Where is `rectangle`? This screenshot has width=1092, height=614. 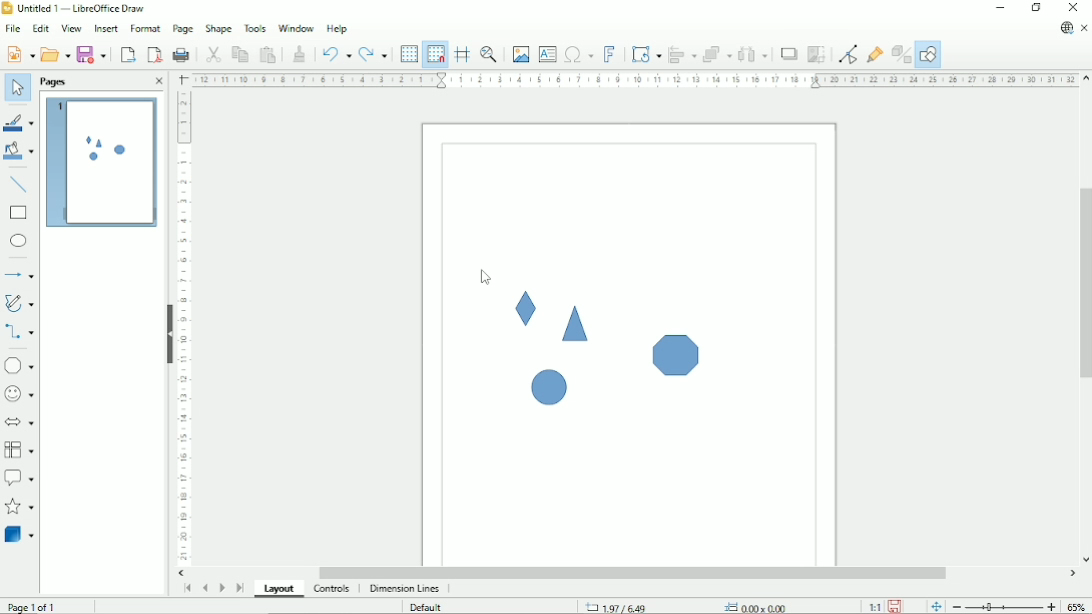 rectangle is located at coordinates (18, 213).